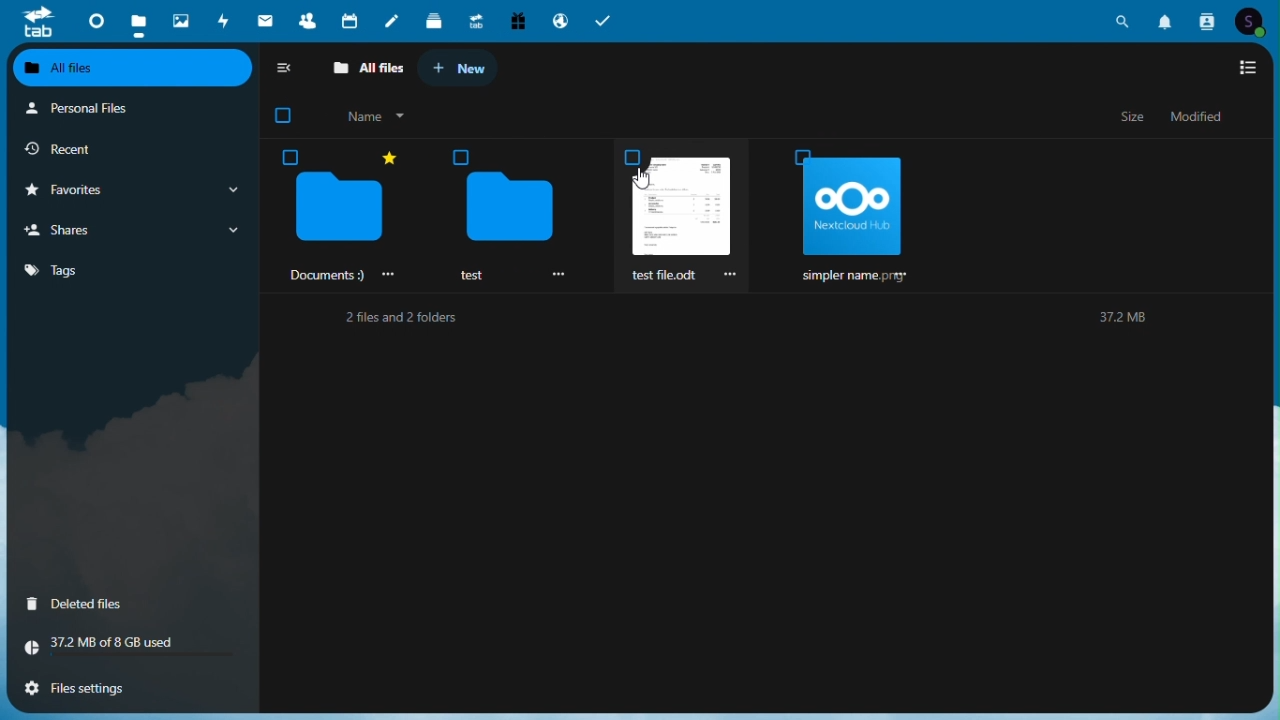  What do you see at coordinates (130, 192) in the screenshot?
I see `Favourite` at bounding box center [130, 192].